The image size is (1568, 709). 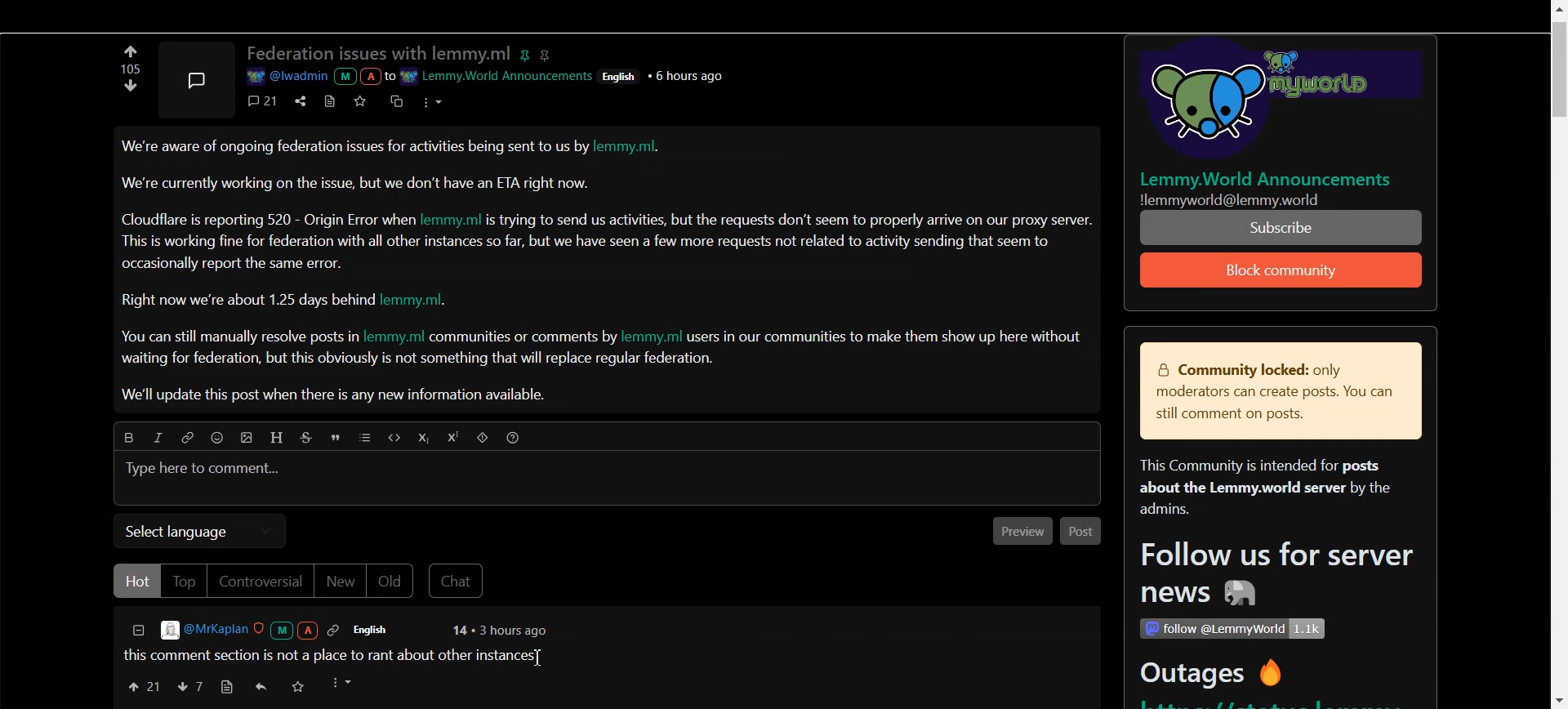 I want to click on communities or comments by, so click(x=524, y=338).